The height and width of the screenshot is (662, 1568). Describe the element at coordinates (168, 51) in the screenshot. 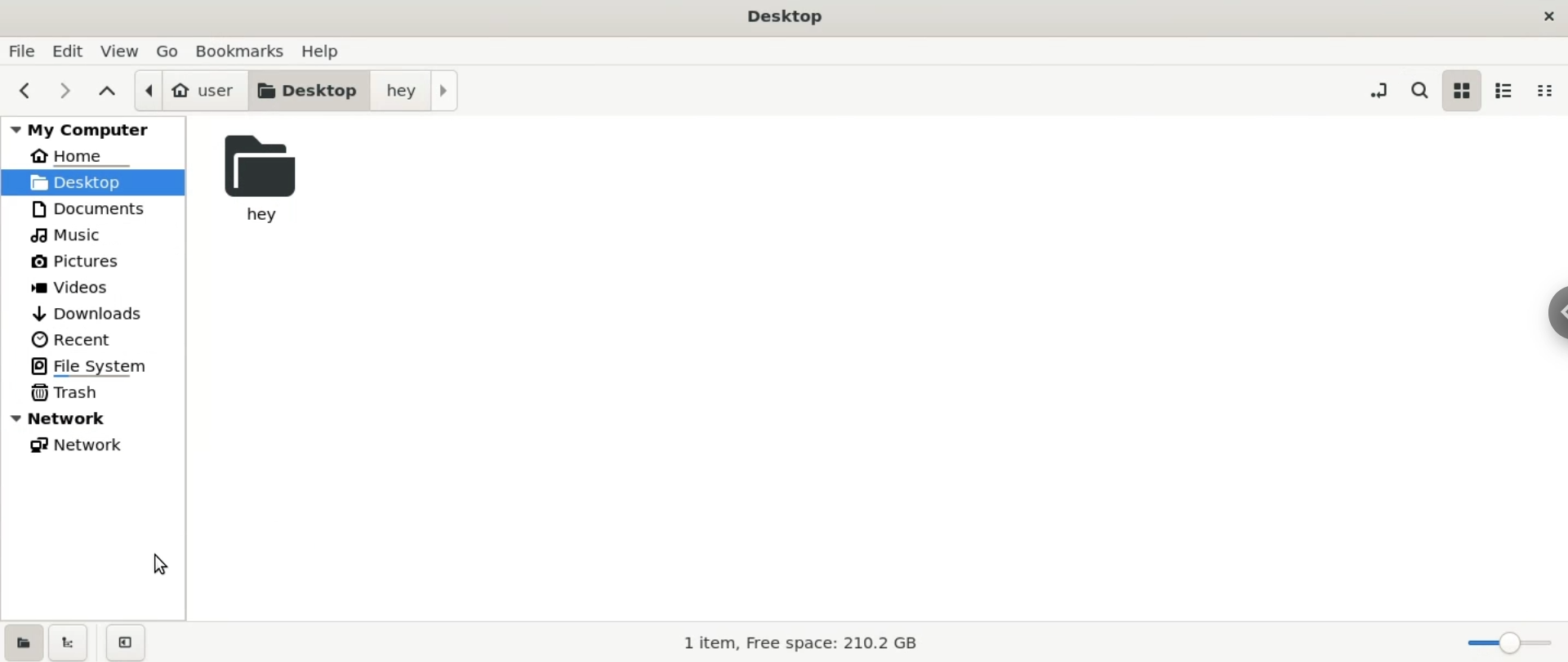

I see `go ` at that location.